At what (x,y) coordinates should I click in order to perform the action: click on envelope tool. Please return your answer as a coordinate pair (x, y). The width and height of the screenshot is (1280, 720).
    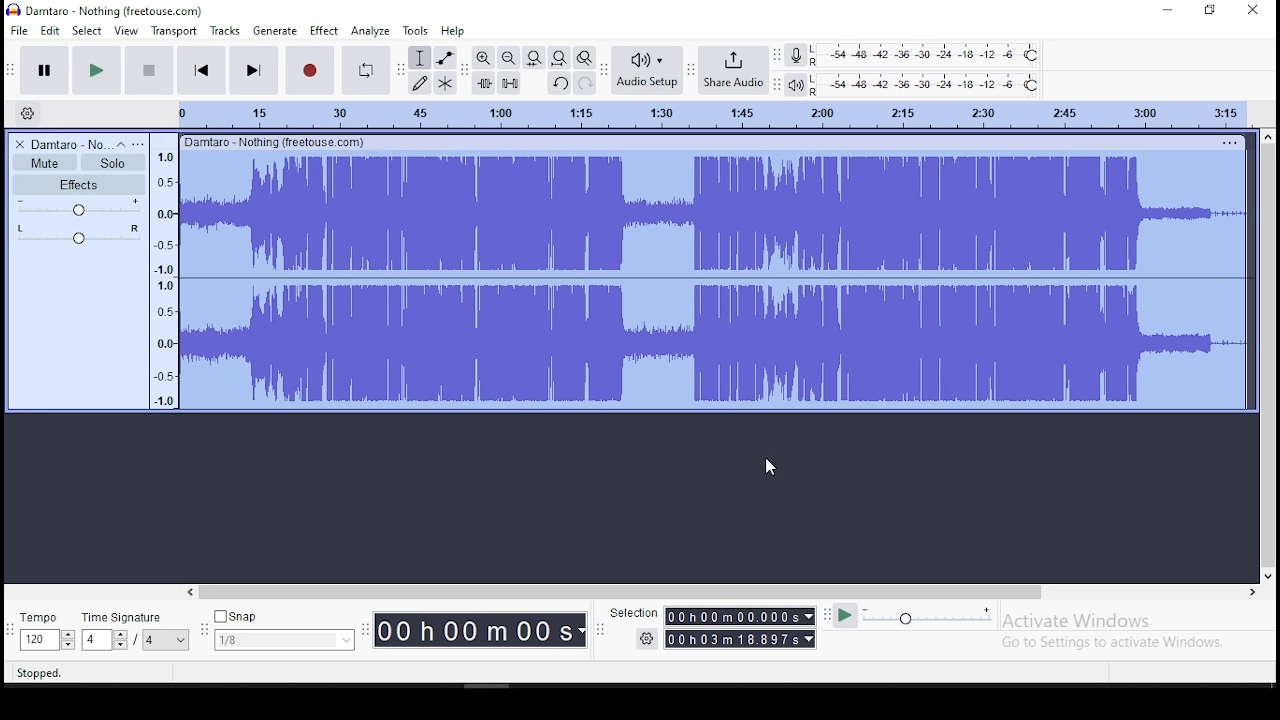
    Looking at the image, I should click on (445, 58).